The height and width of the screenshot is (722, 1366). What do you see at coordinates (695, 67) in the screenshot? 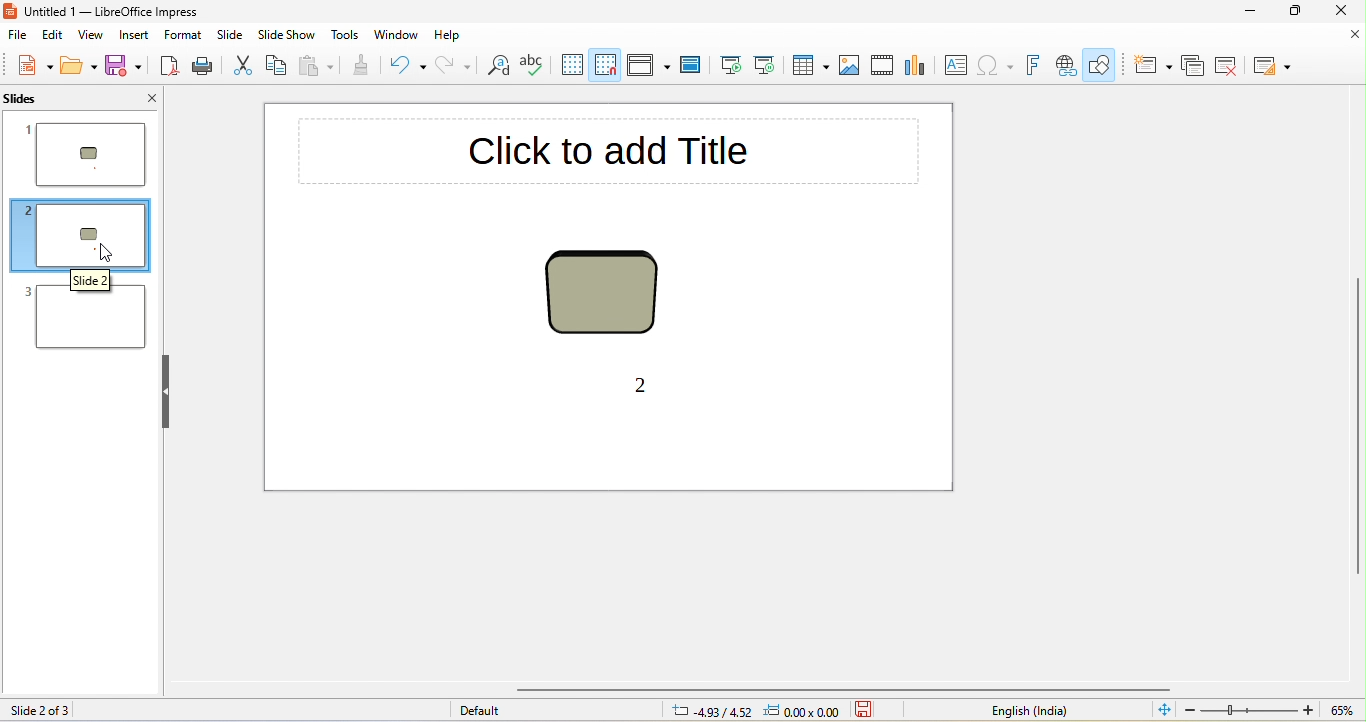
I see `master slide` at bounding box center [695, 67].